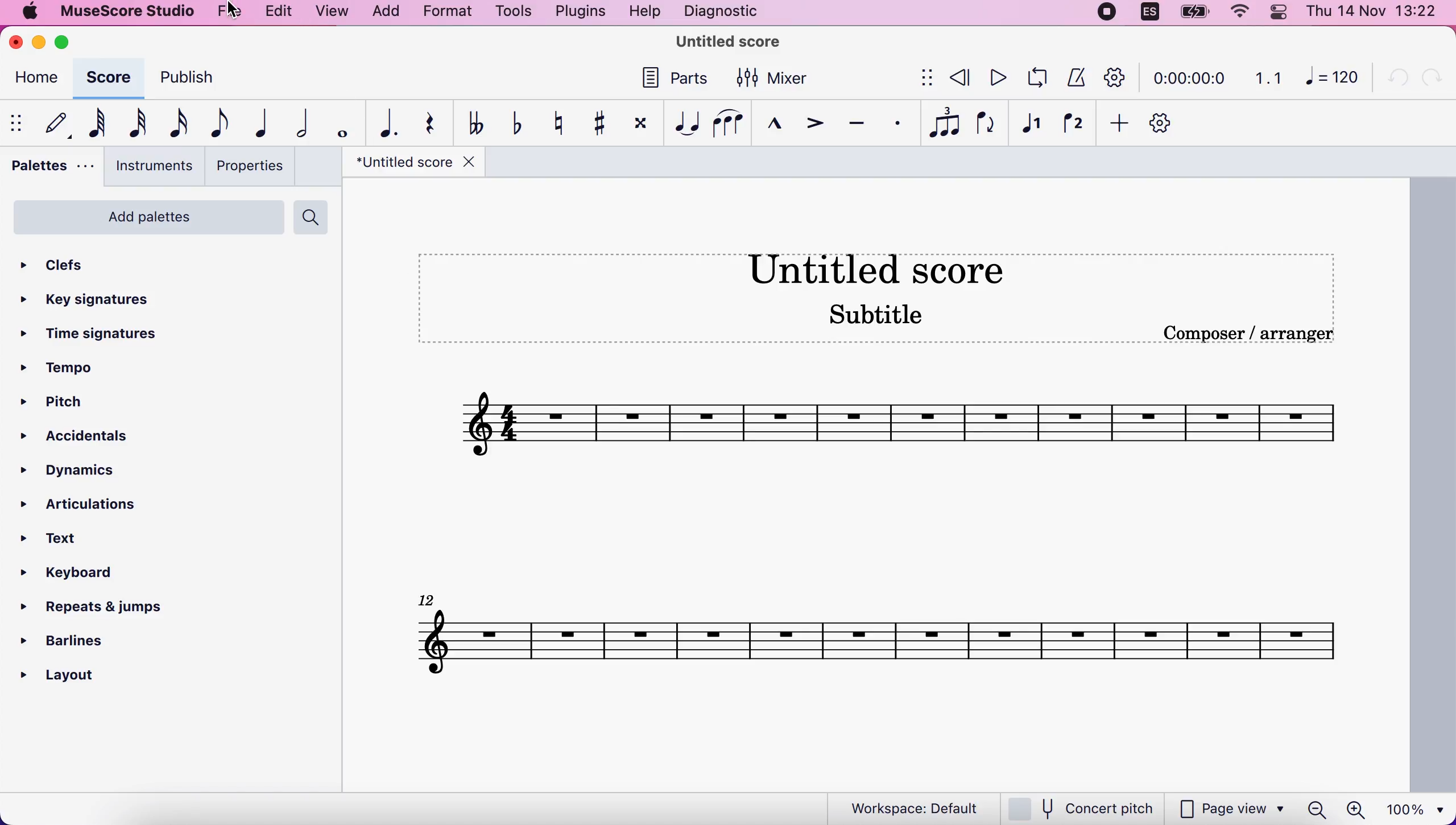 Image resolution: width=1456 pixels, height=825 pixels. What do you see at coordinates (106, 610) in the screenshot?
I see `repeats and jumps` at bounding box center [106, 610].